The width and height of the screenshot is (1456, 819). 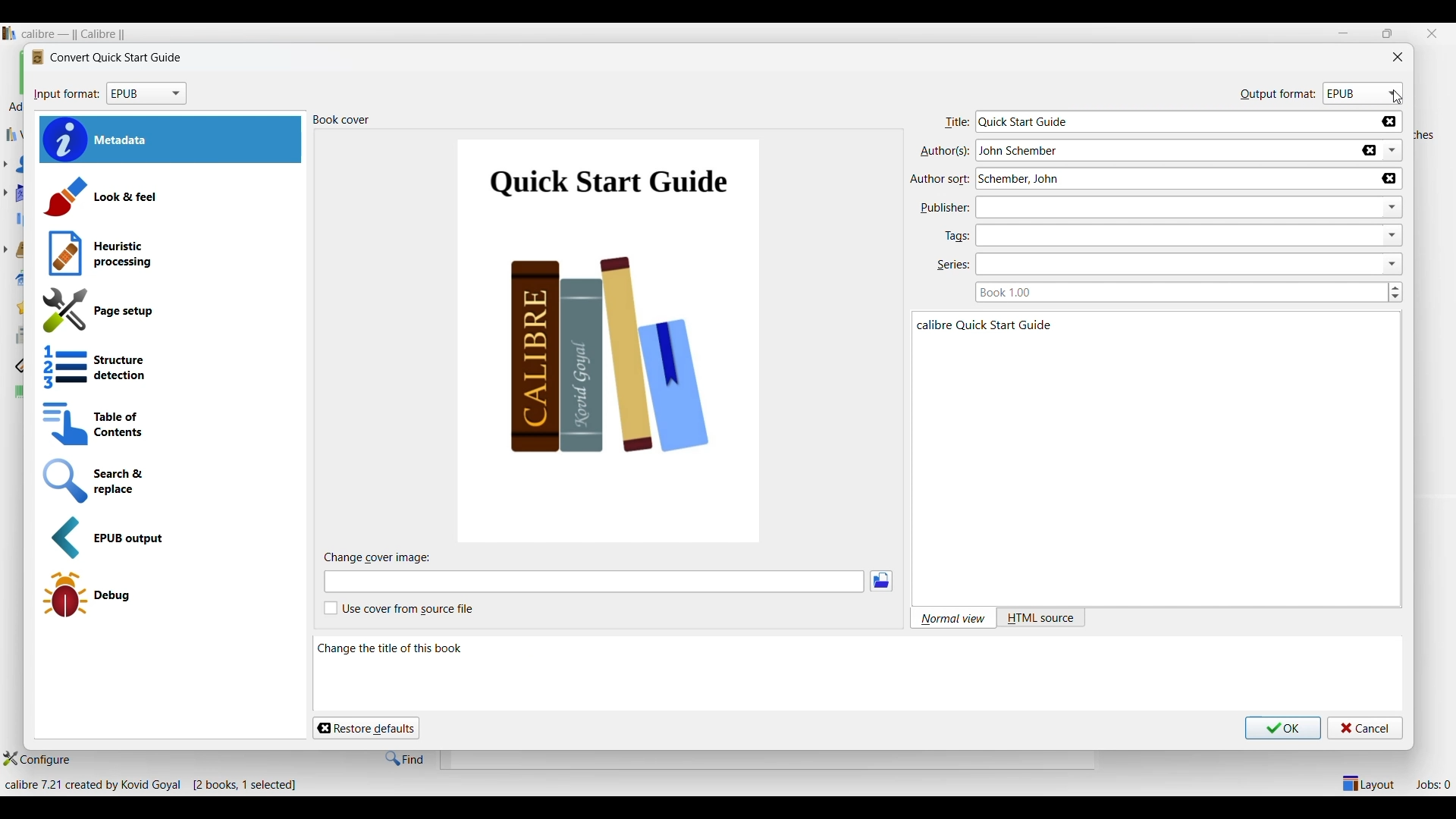 I want to click on Close window, so click(x=1398, y=57).